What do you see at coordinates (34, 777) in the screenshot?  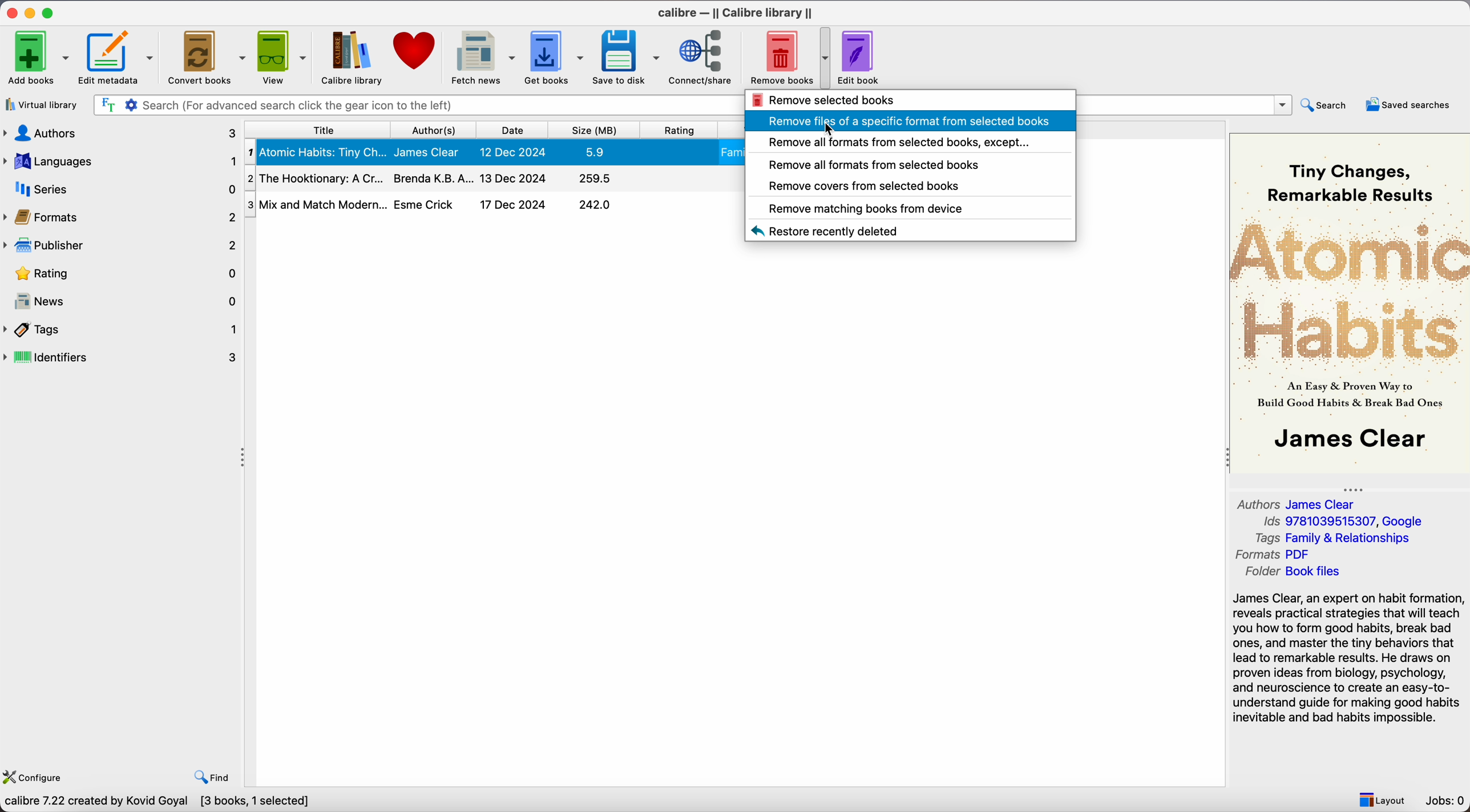 I see `configure` at bounding box center [34, 777].